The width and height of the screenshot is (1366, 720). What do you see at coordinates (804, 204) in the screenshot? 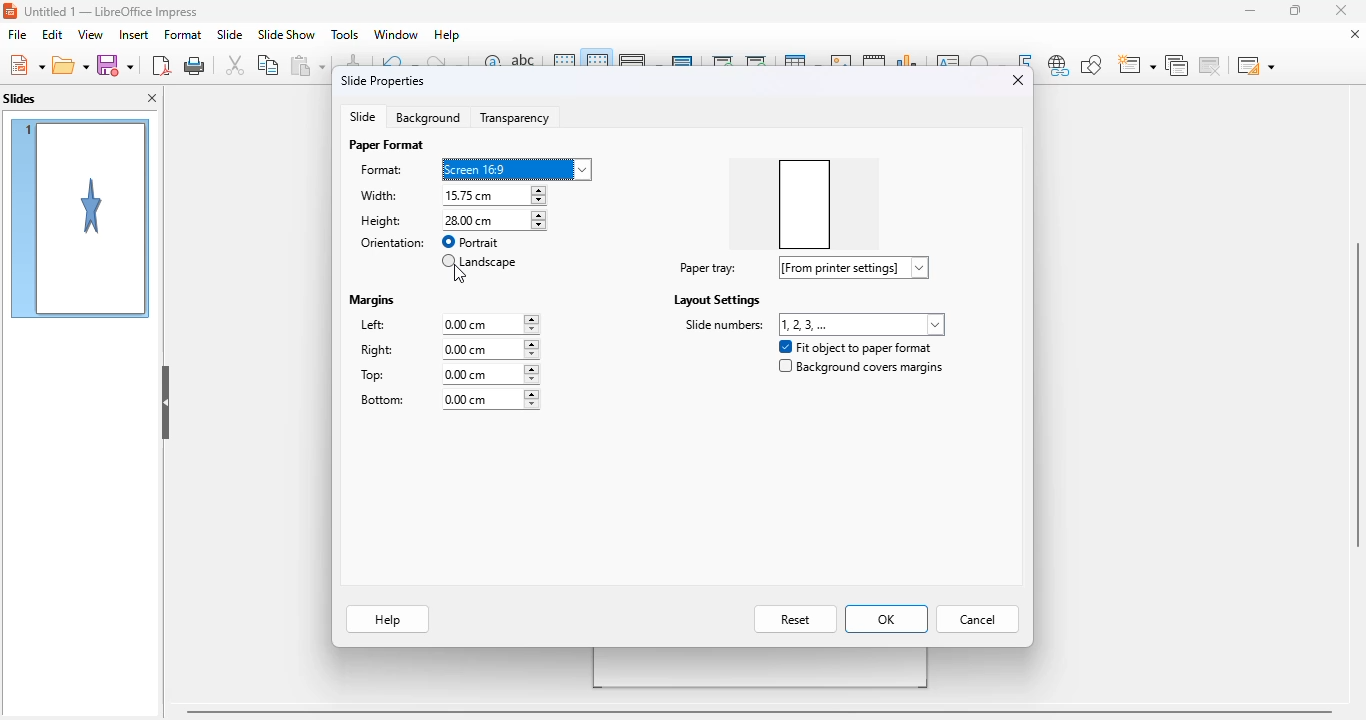
I see `preview box` at bounding box center [804, 204].